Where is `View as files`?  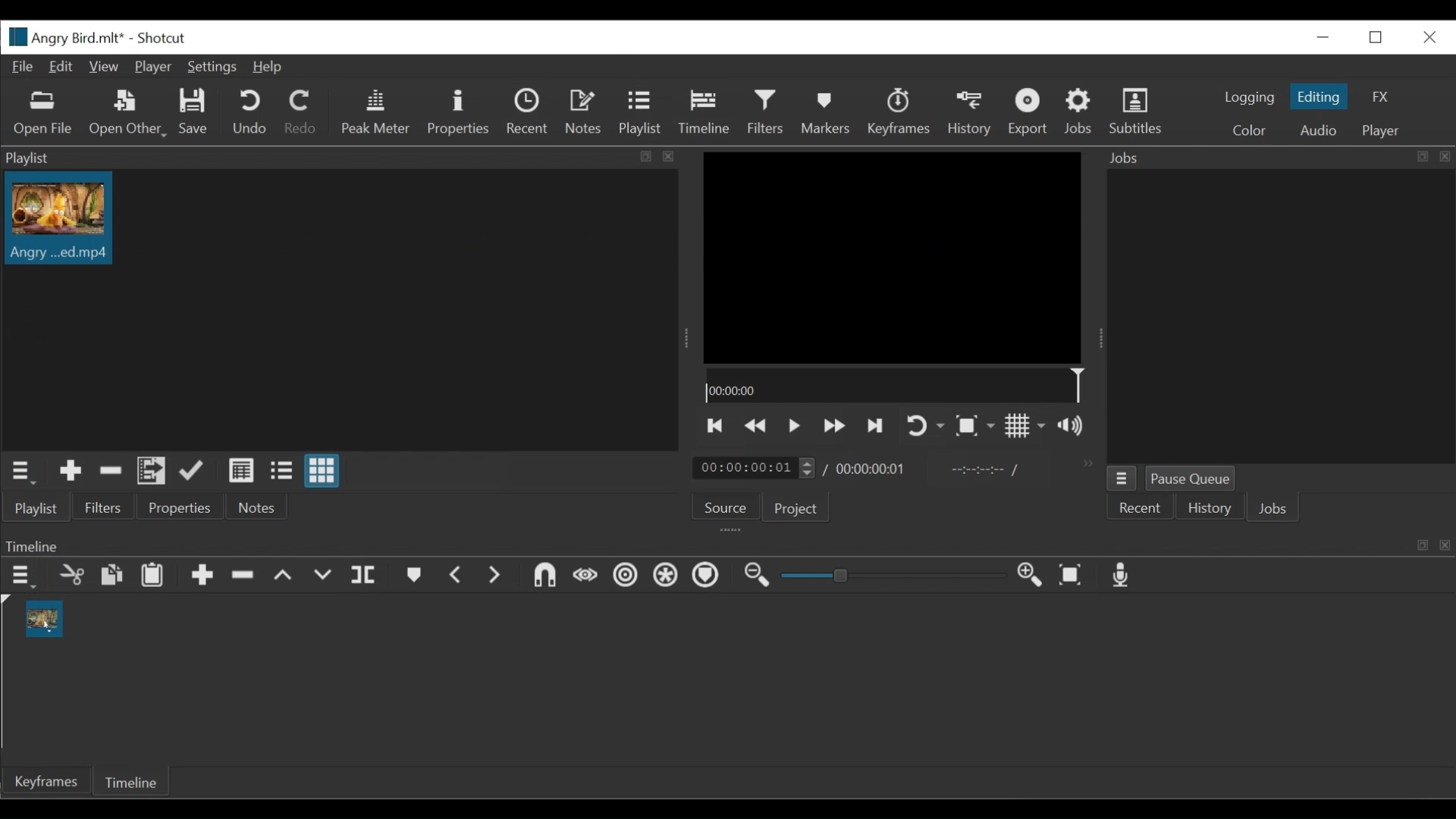
View as files is located at coordinates (284, 472).